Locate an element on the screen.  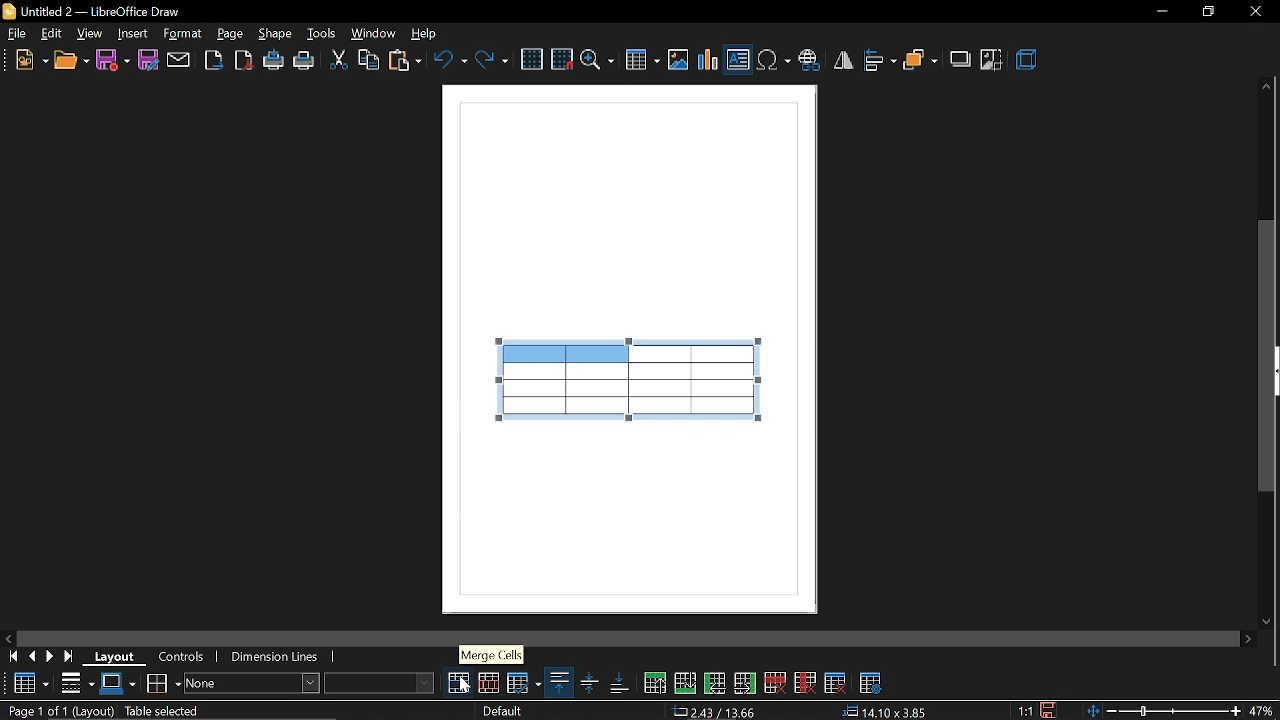
shape is located at coordinates (276, 33).